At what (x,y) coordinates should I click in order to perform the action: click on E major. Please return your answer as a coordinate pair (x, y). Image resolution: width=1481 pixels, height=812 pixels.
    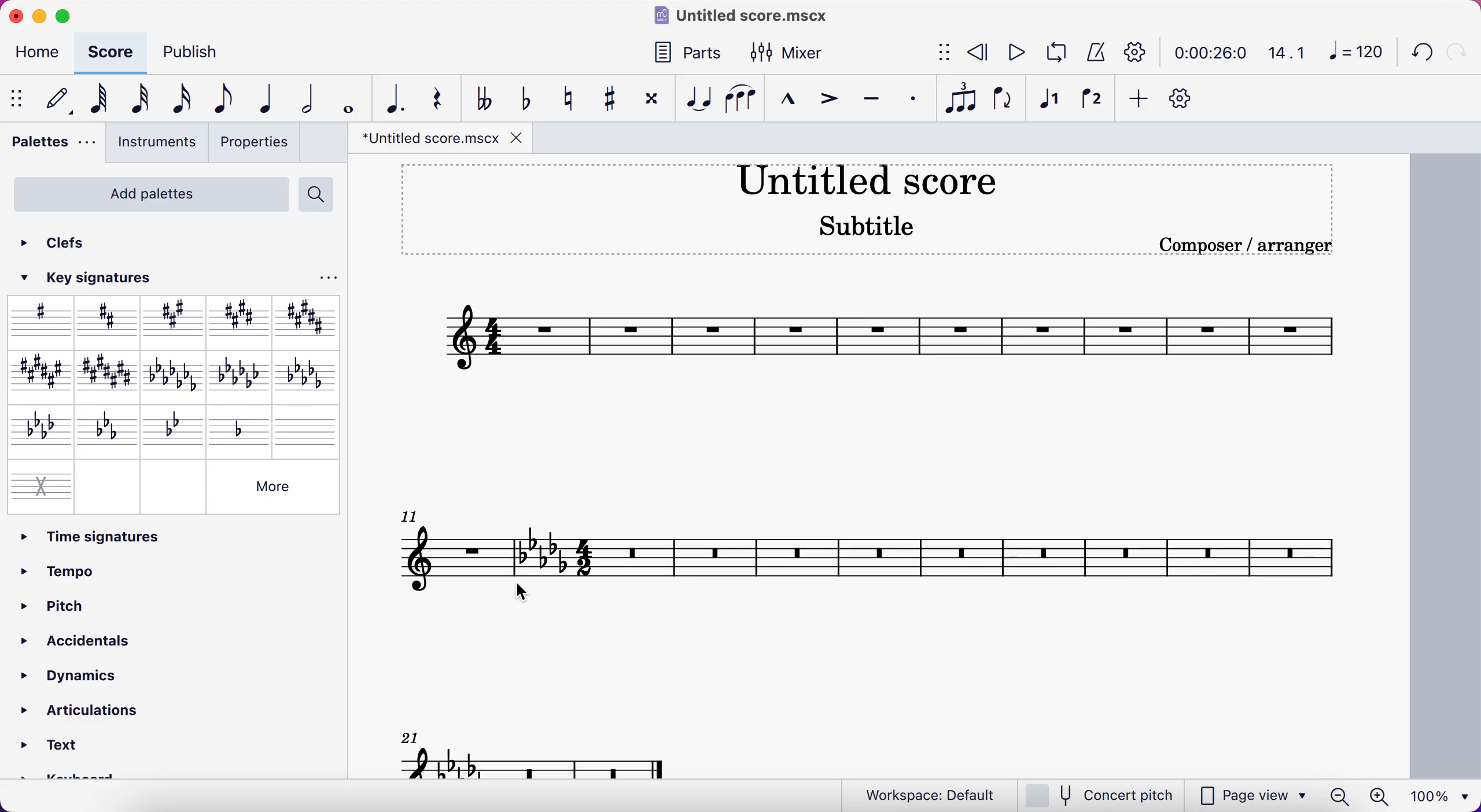
    Looking at the image, I should click on (237, 318).